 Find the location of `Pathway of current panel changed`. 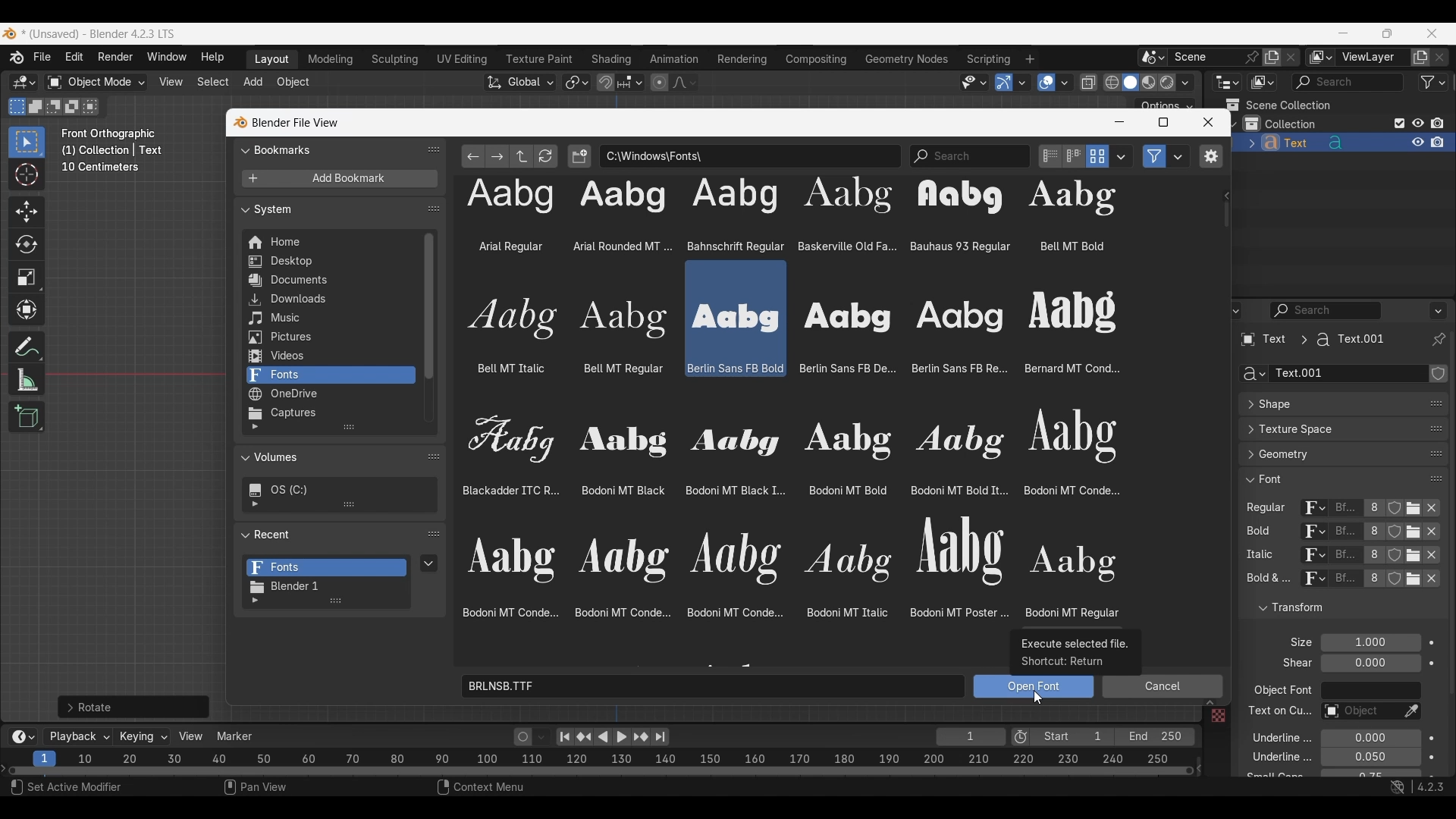

Pathway of current panel changed is located at coordinates (1311, 340).